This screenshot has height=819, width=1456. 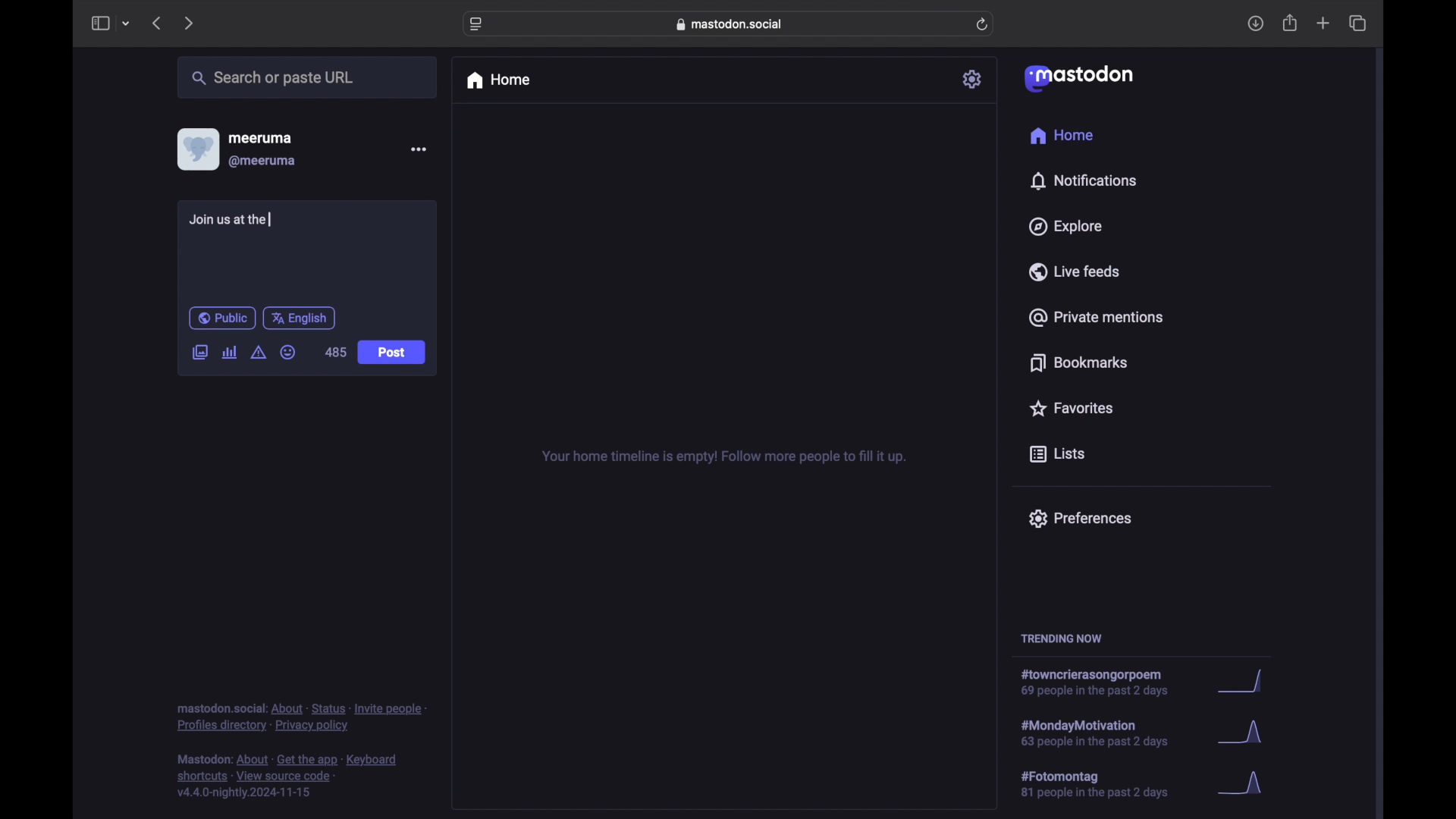 What do you see at coordinates (733, 24) in the screenshot?
I see `web address` at bounding box center [733, 24].